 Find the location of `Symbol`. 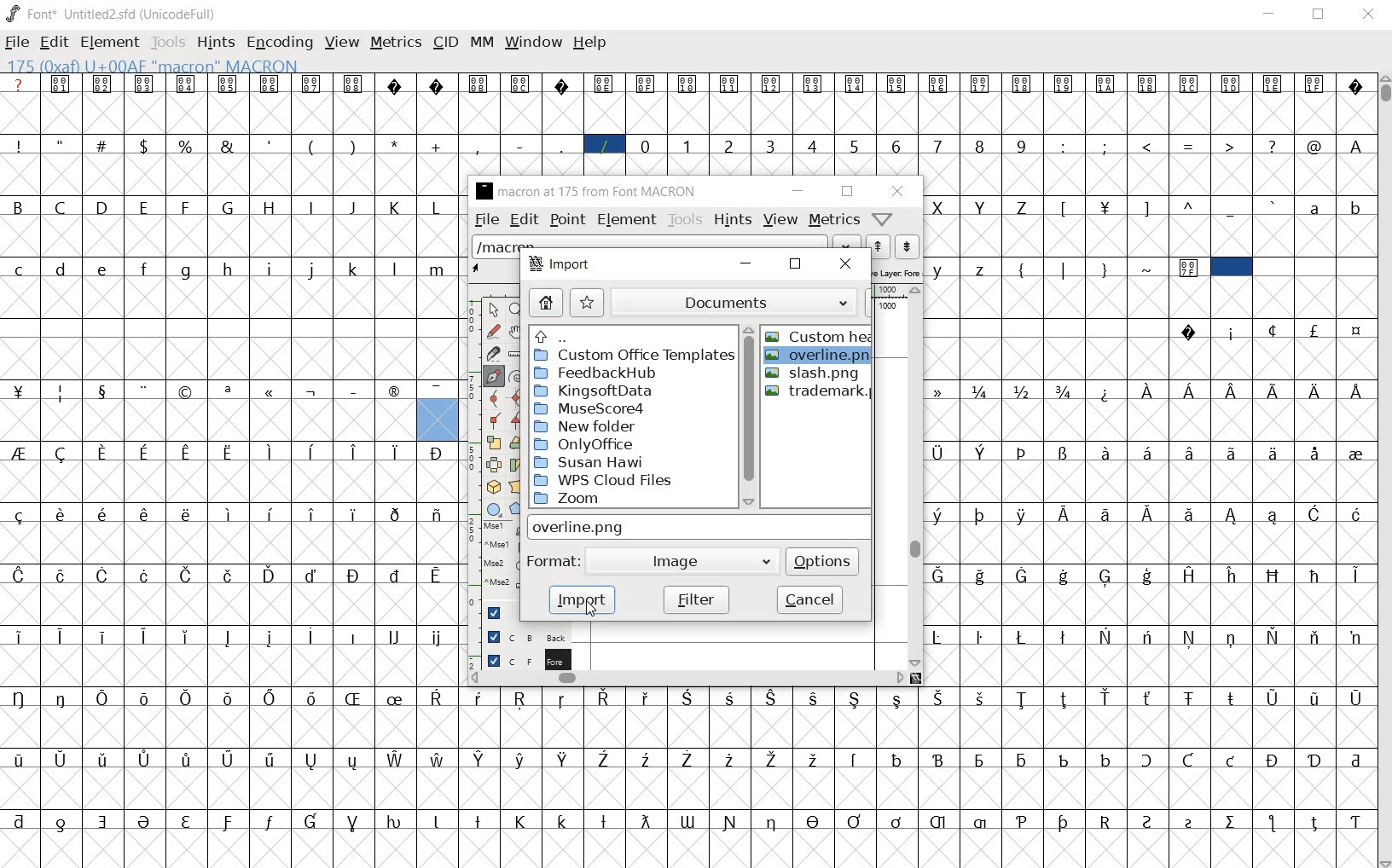

Symbol is located at coordinates (730, 698).